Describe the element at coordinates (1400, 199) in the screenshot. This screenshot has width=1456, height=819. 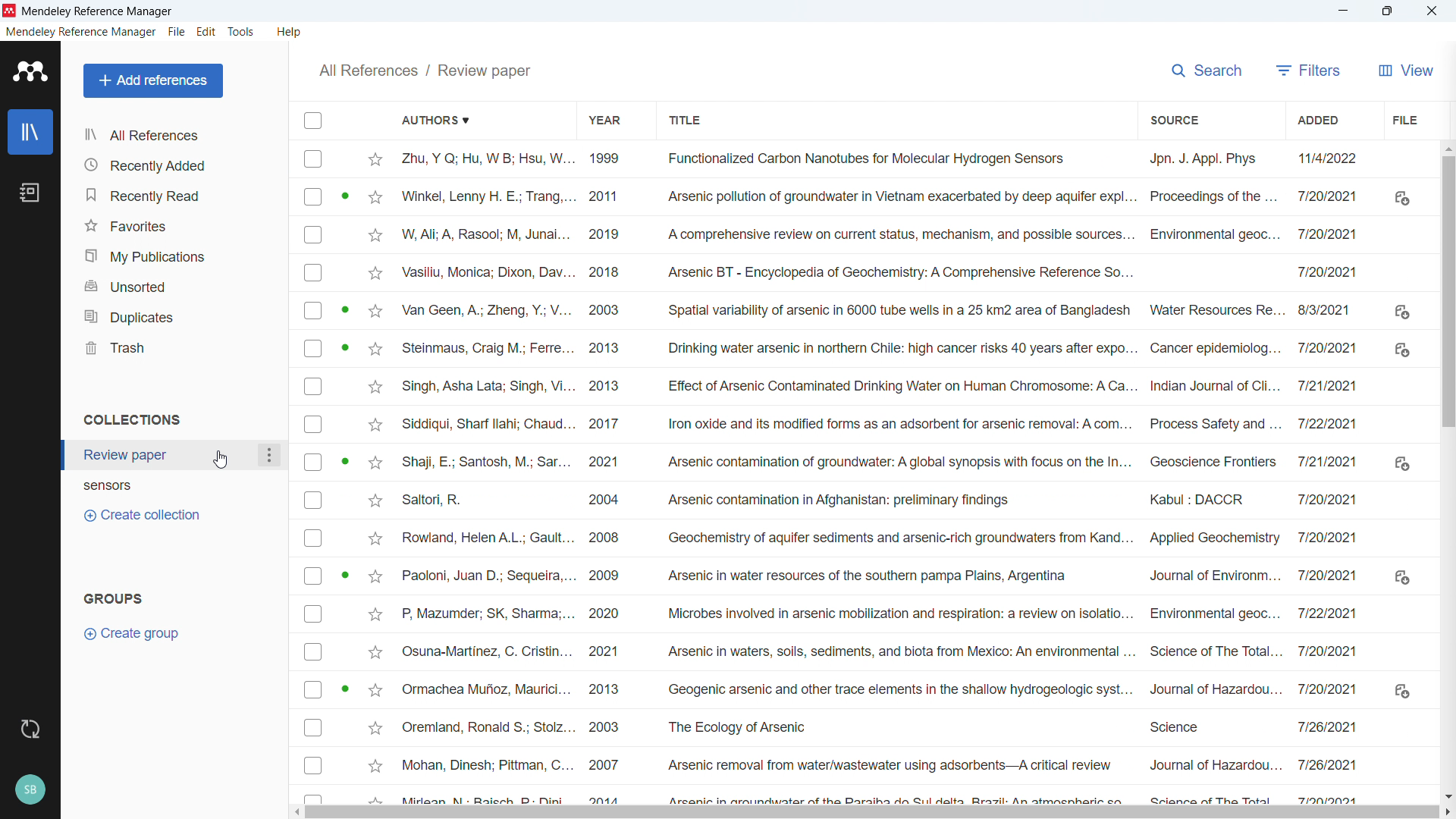
I see `settings` at that location.